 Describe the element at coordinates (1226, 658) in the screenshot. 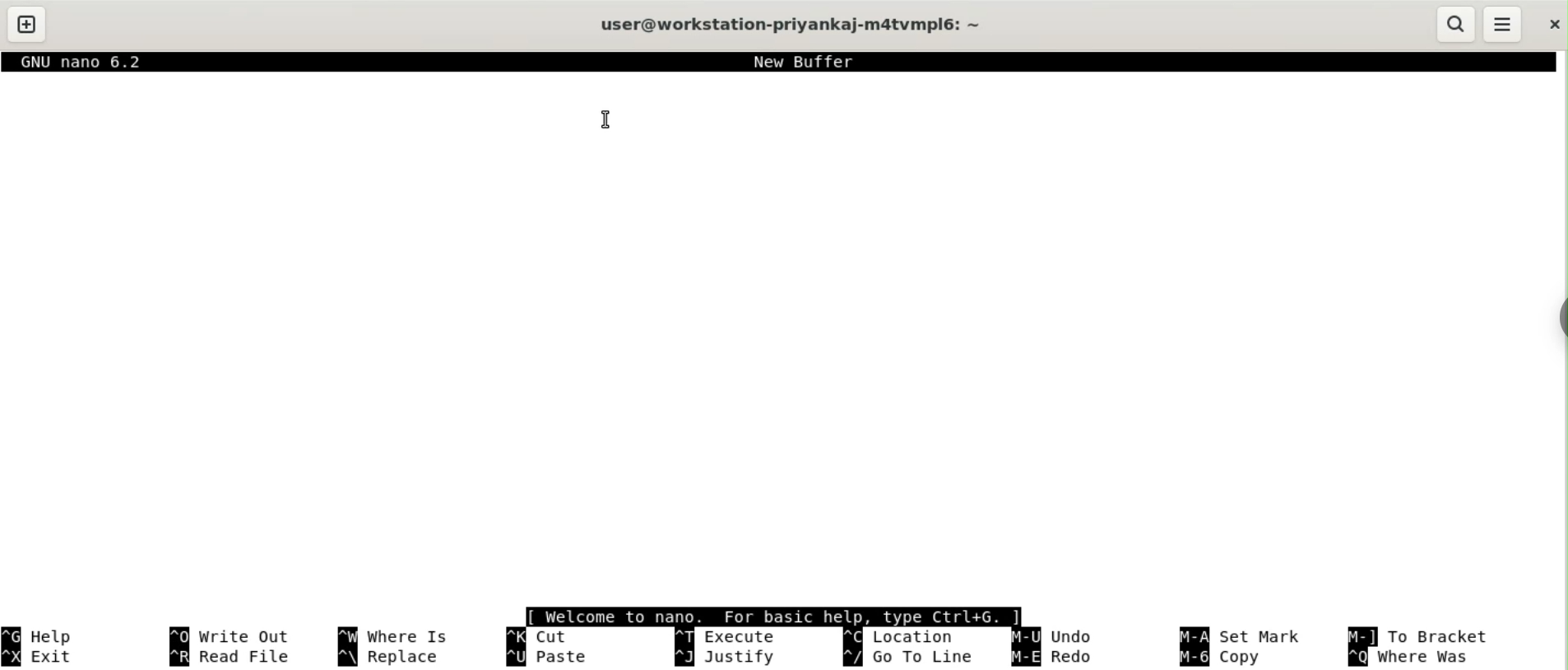

I see `copy` at that location.